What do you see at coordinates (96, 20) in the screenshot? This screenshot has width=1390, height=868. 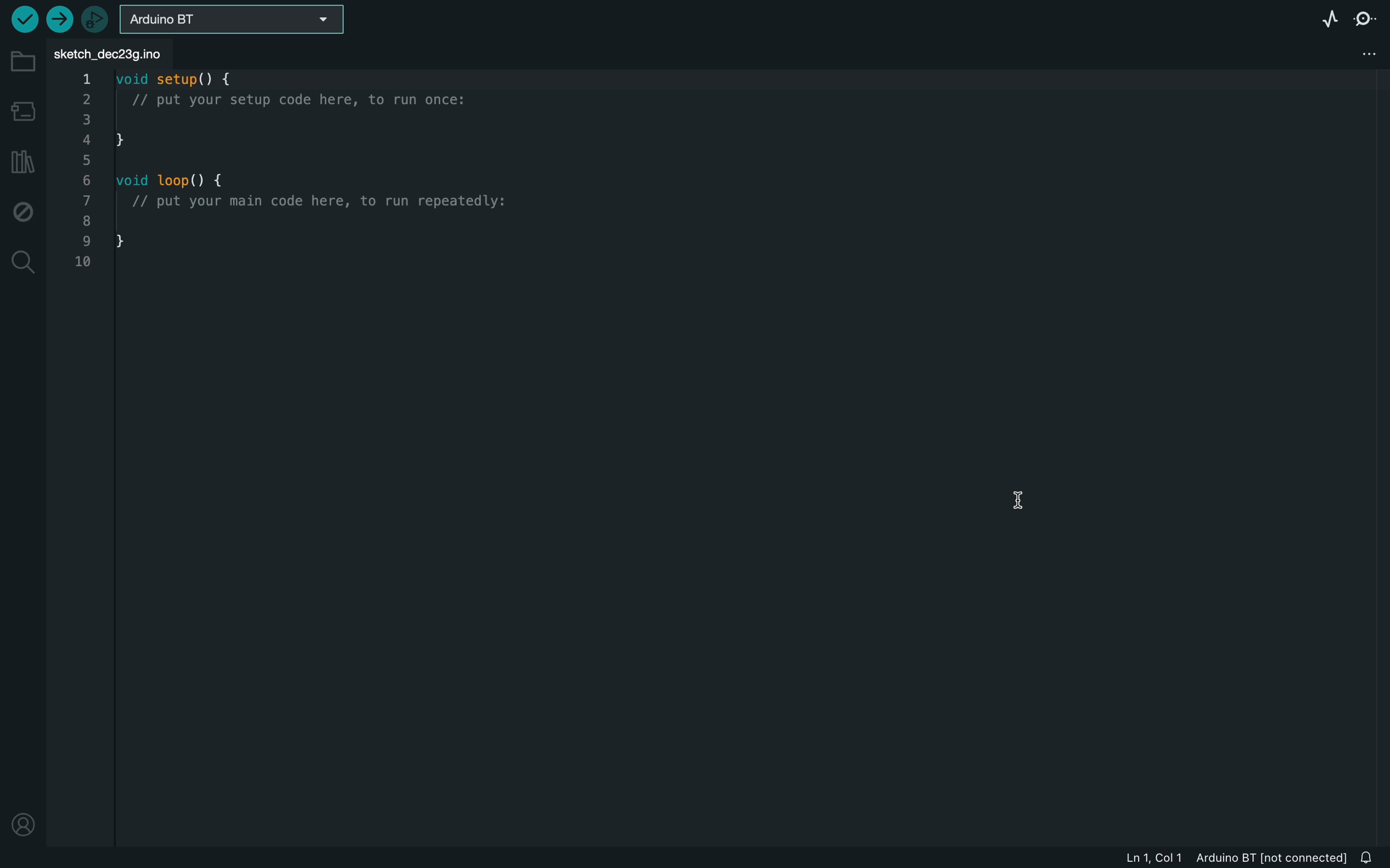 I see `debugger` at bounding box center [96, 20].